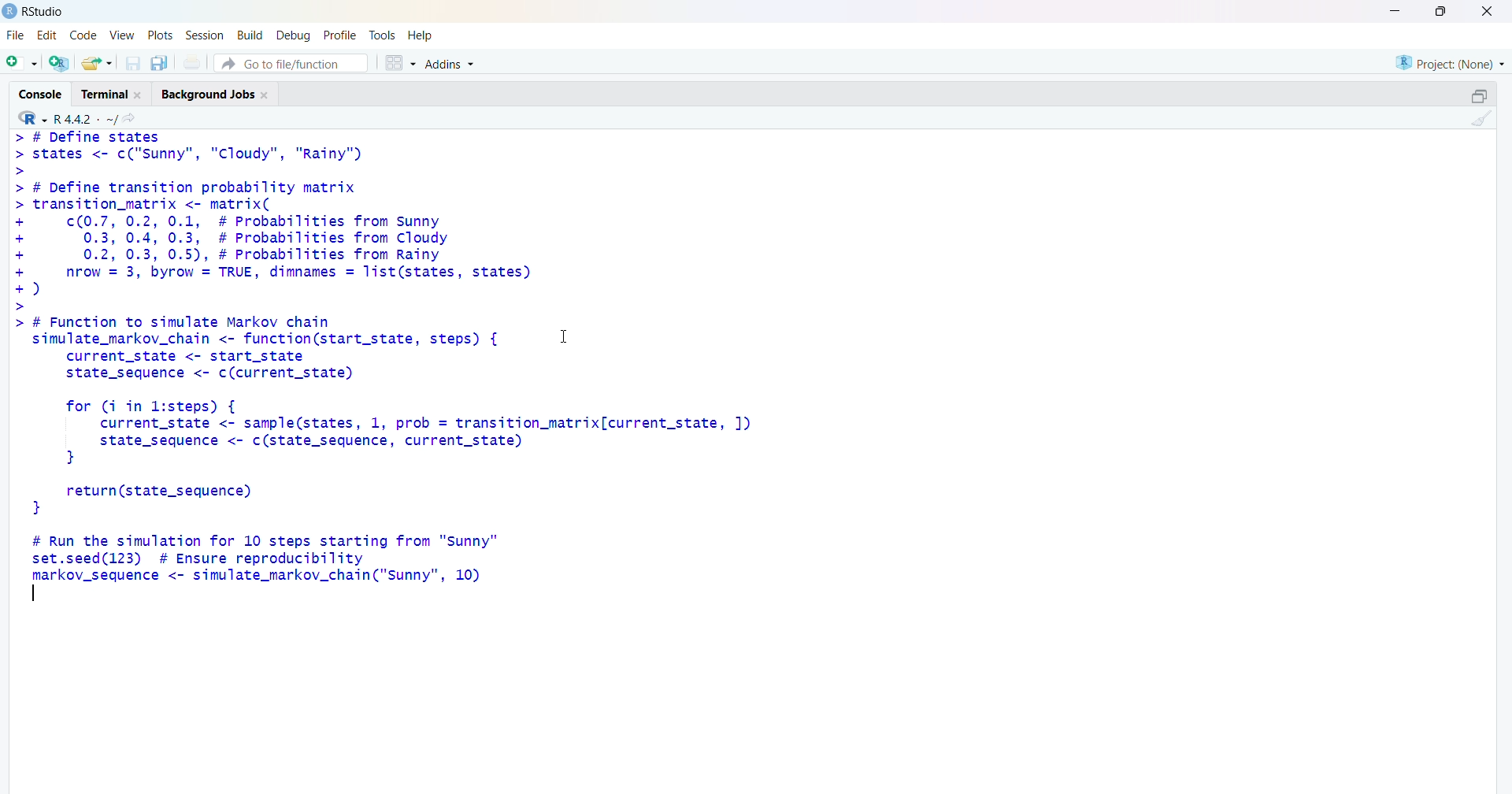  I want to click on plots, so click(162, 34).